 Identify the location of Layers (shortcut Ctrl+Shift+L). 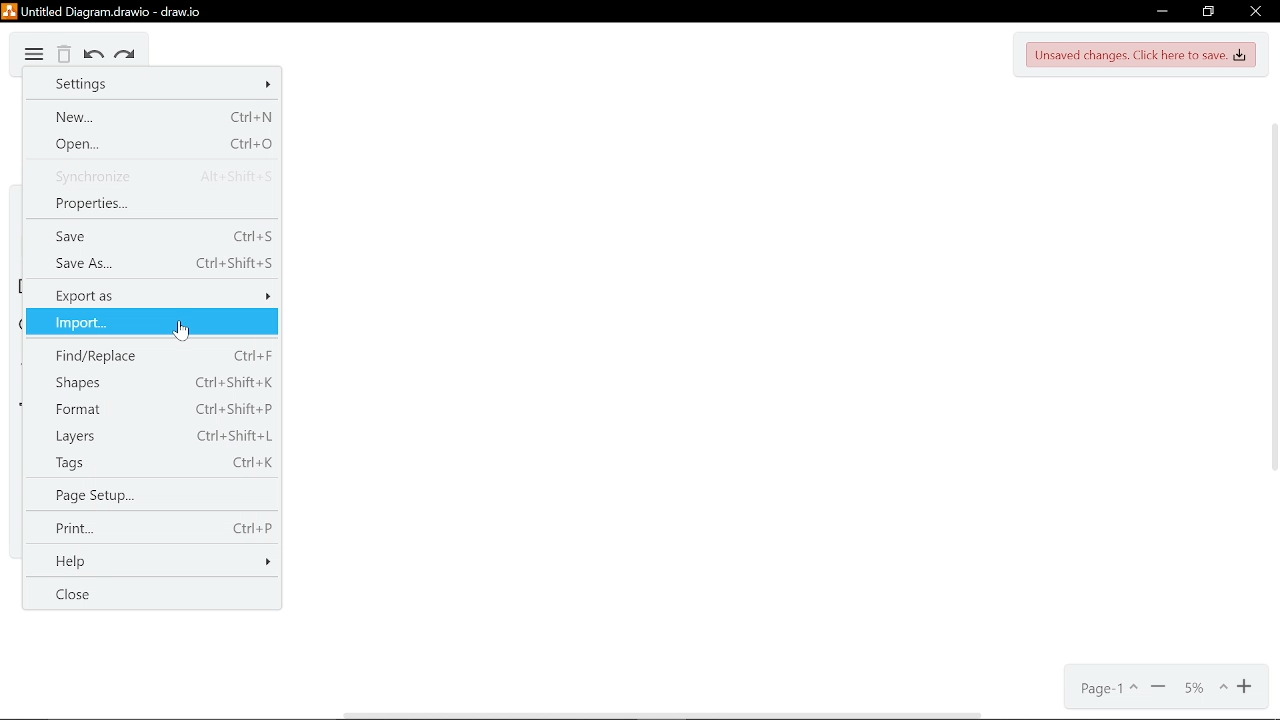
(151, 437).